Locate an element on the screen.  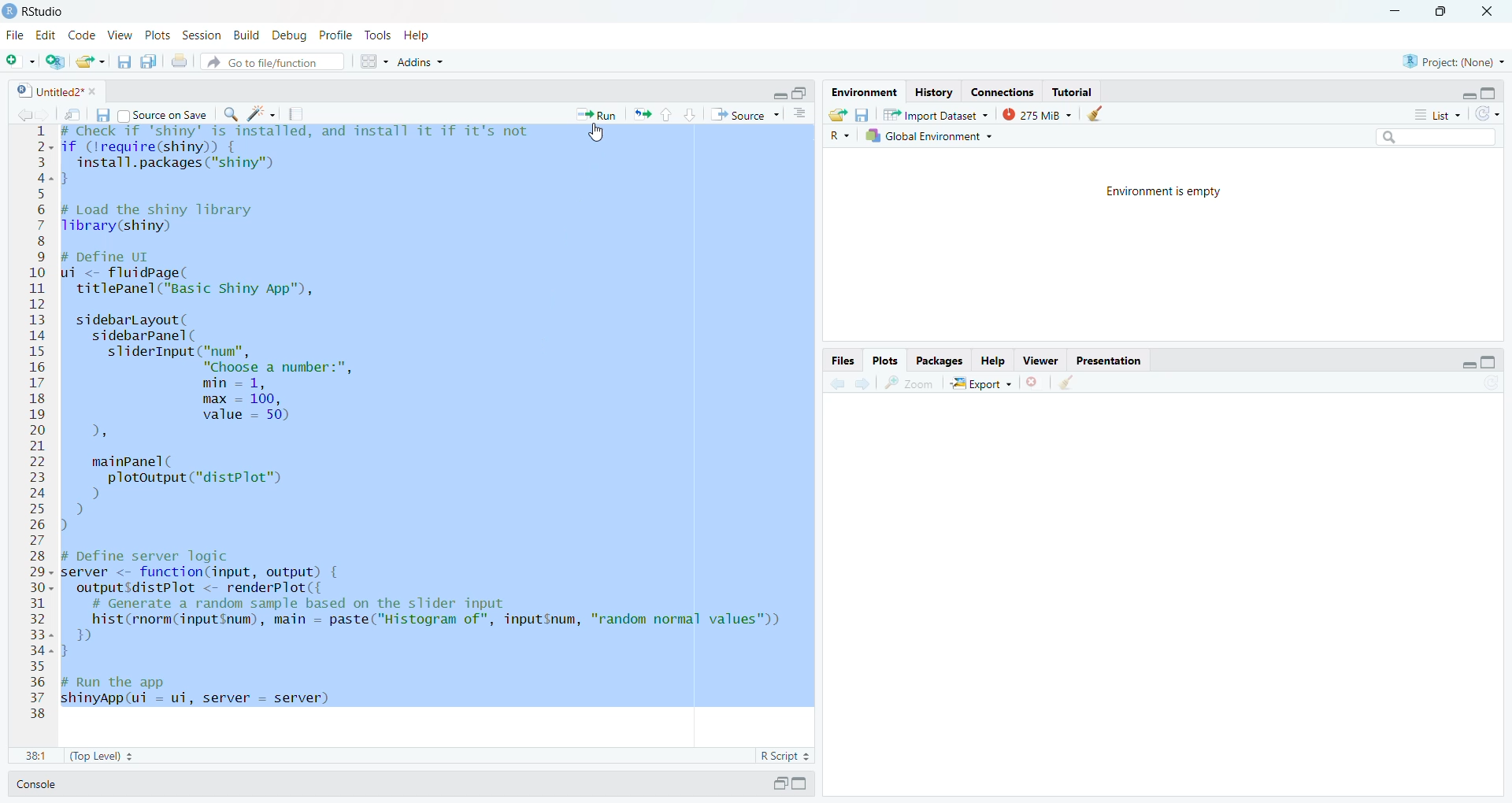
Connections is located at coordinates (1002, 93).